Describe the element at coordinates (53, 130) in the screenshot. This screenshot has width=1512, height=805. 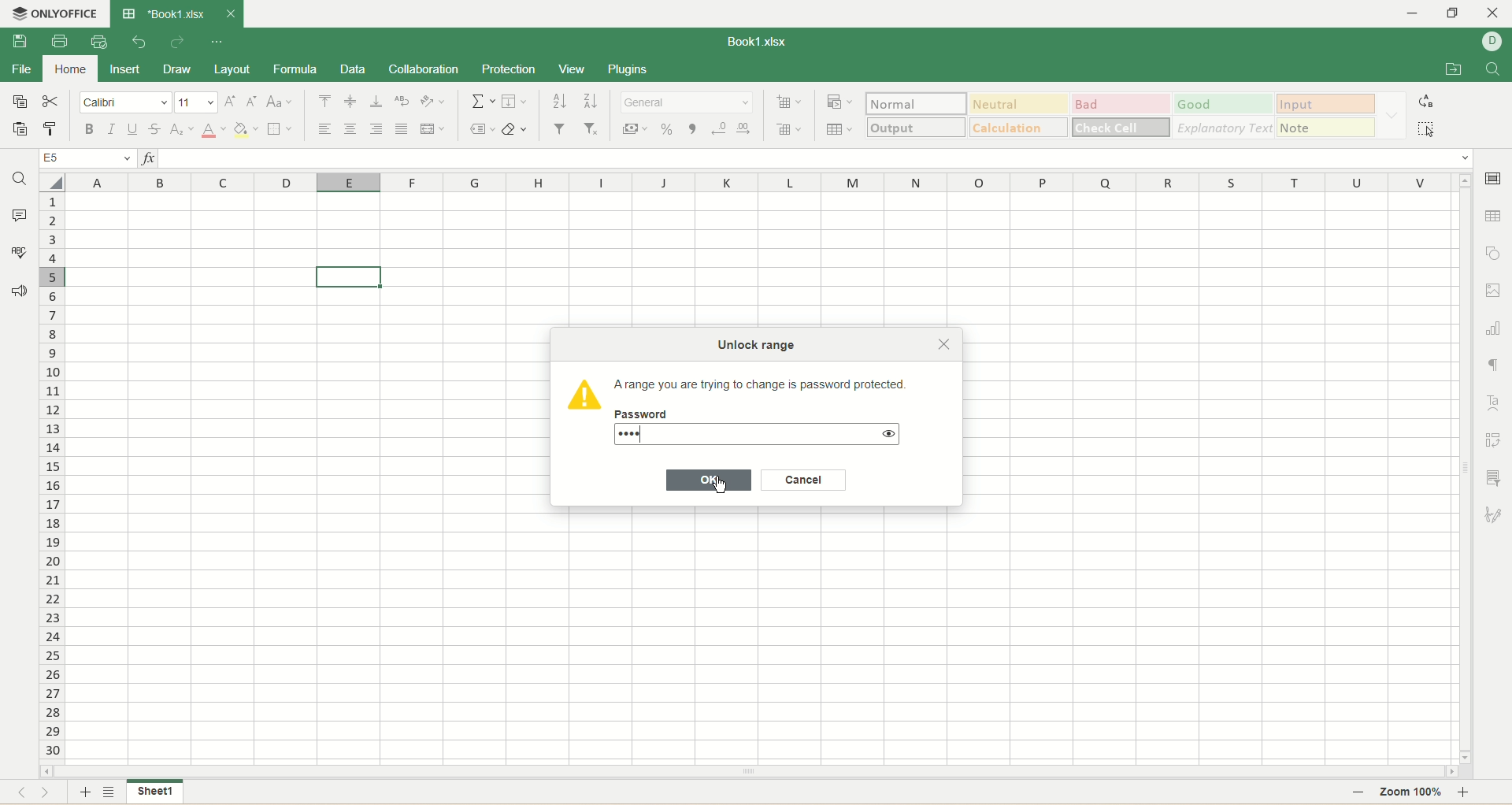
I see `copy style` at that location.